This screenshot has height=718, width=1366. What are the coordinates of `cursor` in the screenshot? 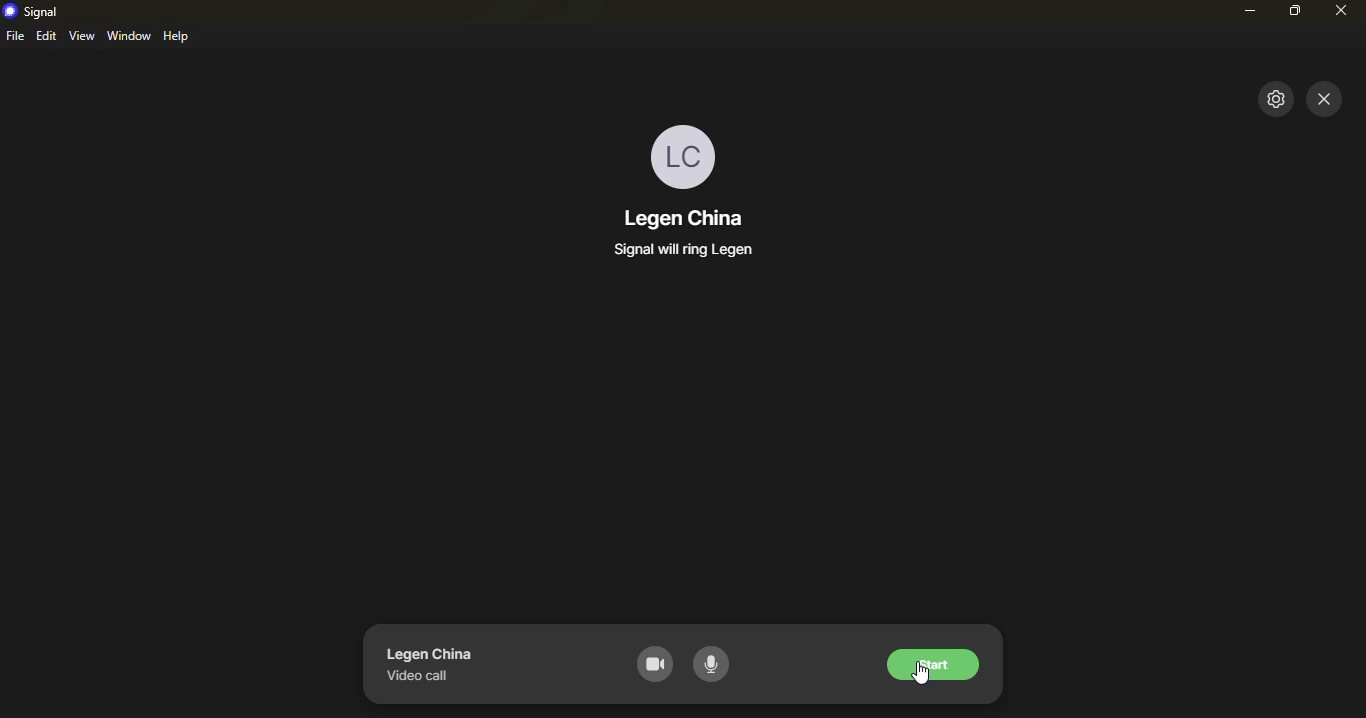 It's located at (920, 682).